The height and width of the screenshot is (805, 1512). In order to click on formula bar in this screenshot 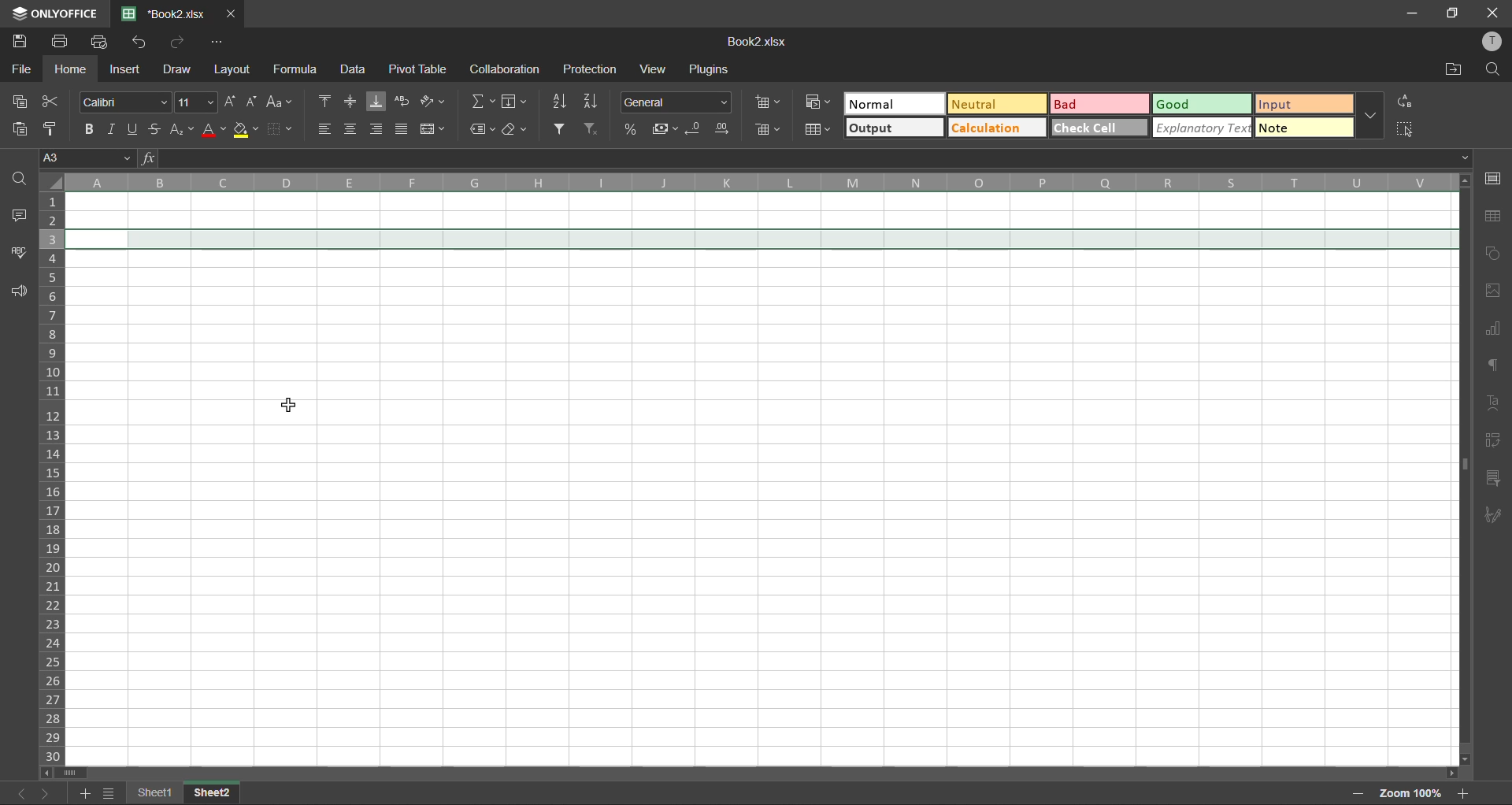, I will do `click(806, 158)`.